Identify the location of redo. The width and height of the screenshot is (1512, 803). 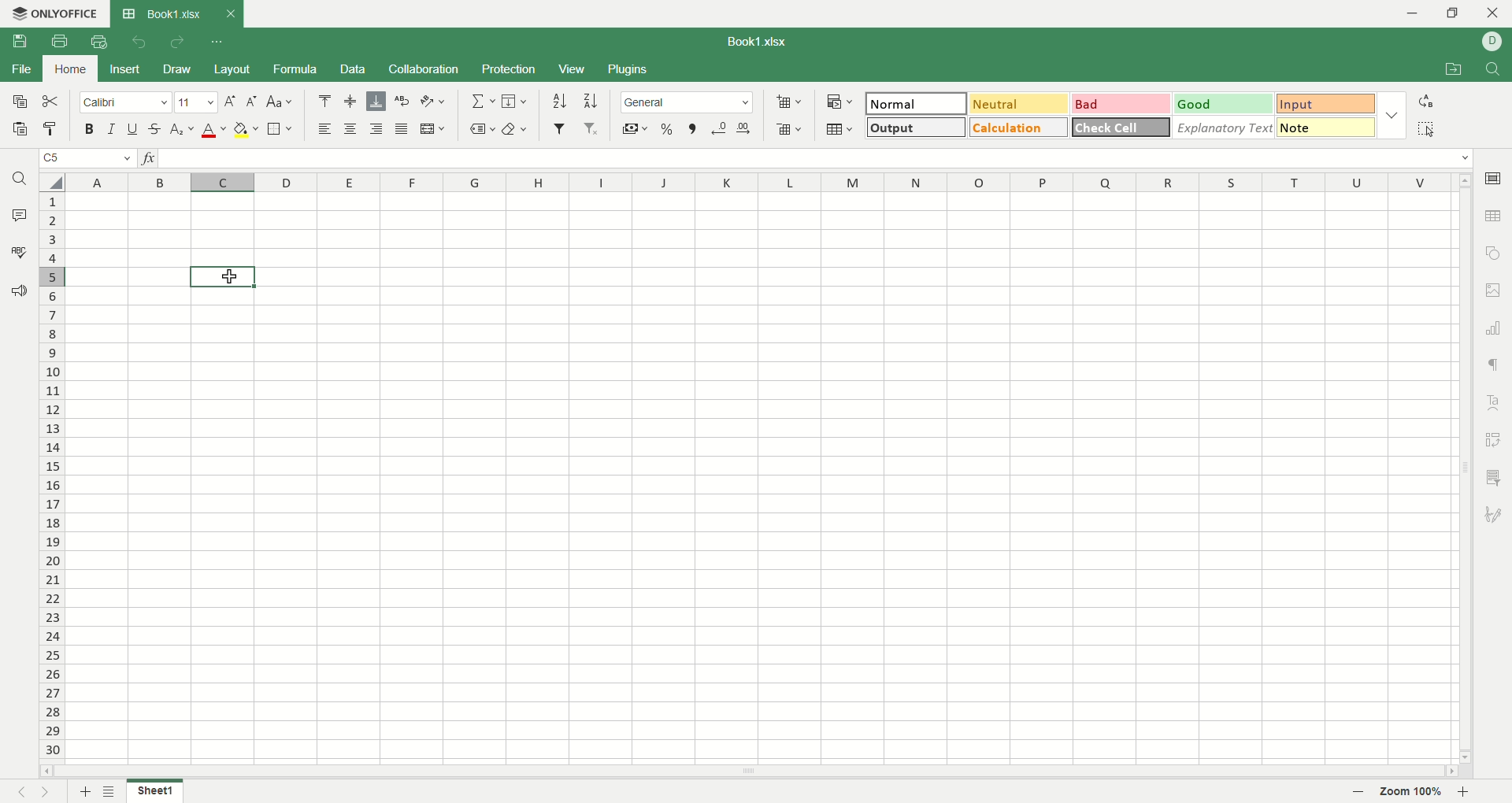
(176, 43).